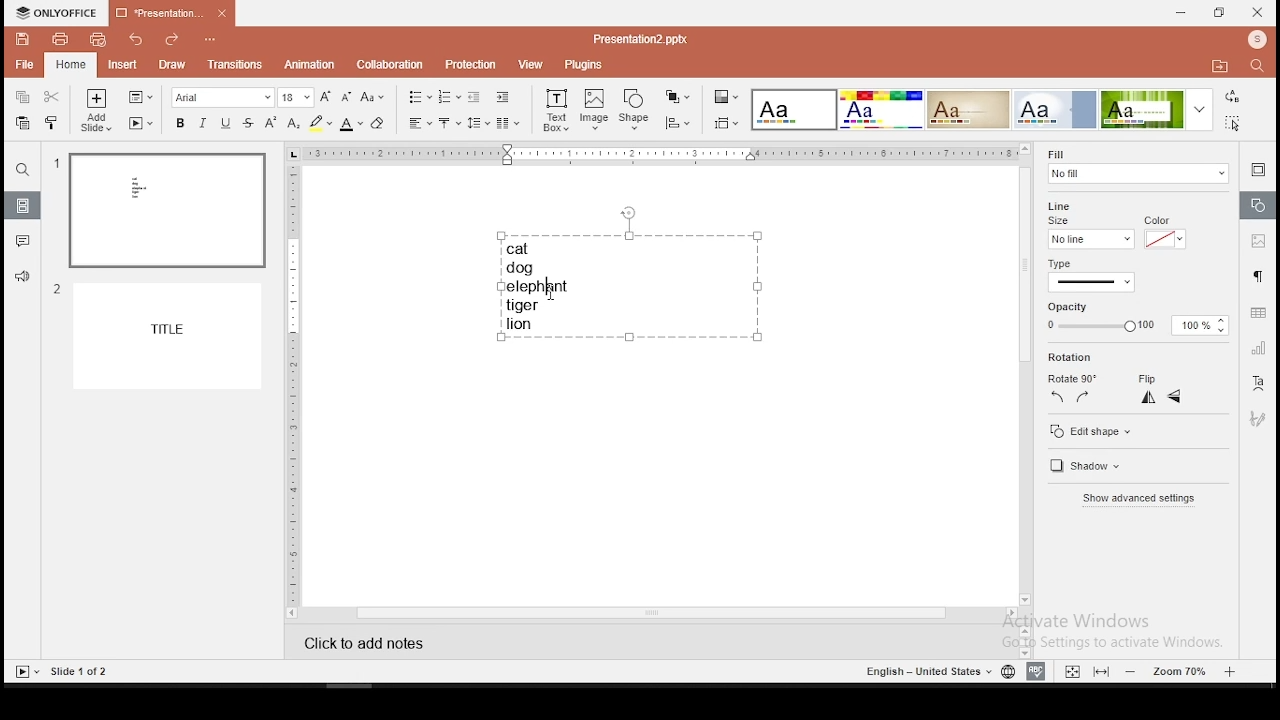 The image size is (1280, 720). What do you see at coordinates (1259, 384) in the screenshot?
I see `text art tool` at bounding box center [1259, 384].